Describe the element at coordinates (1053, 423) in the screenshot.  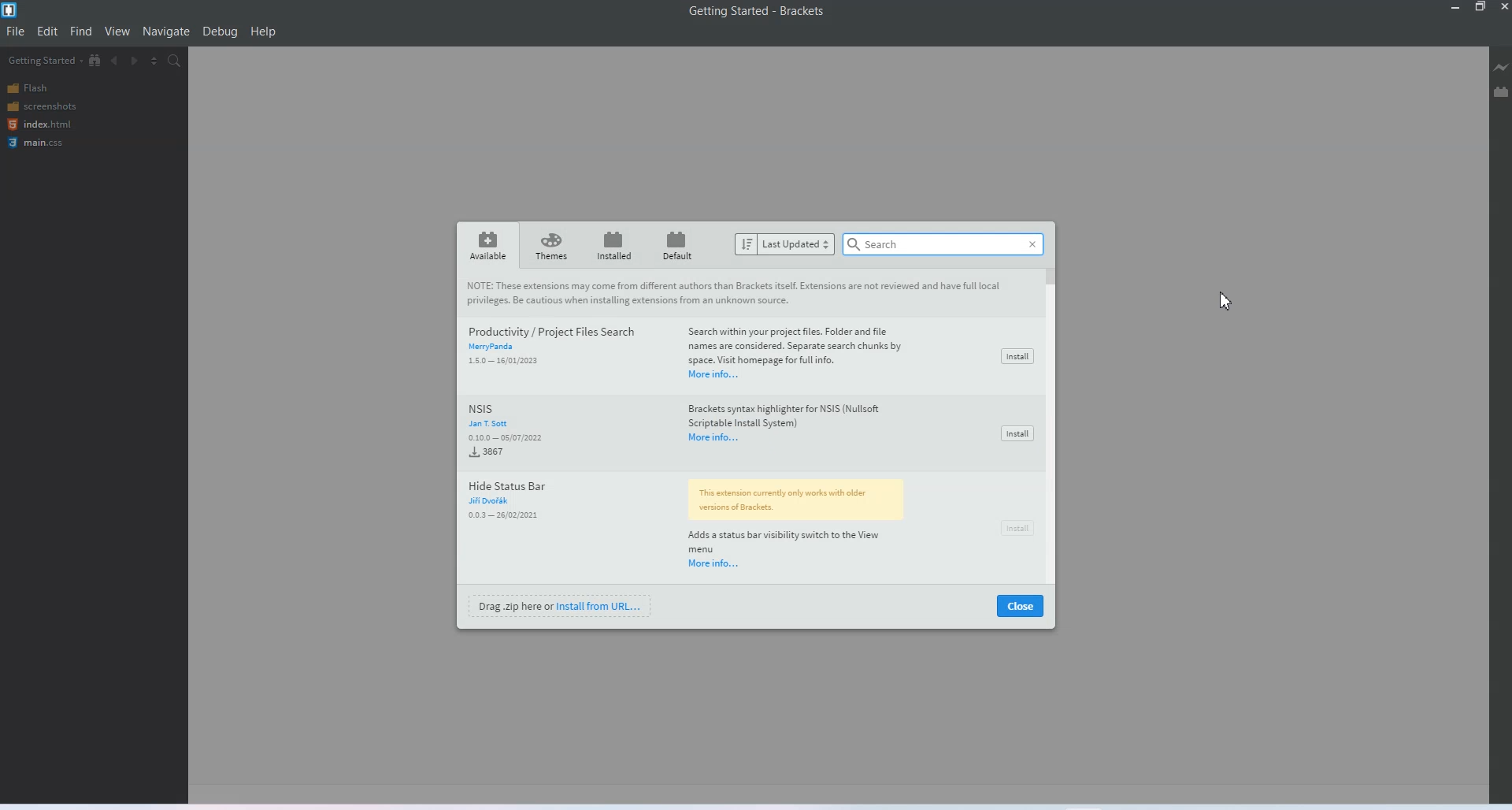
I see `Vertical scroll bar` at that location.